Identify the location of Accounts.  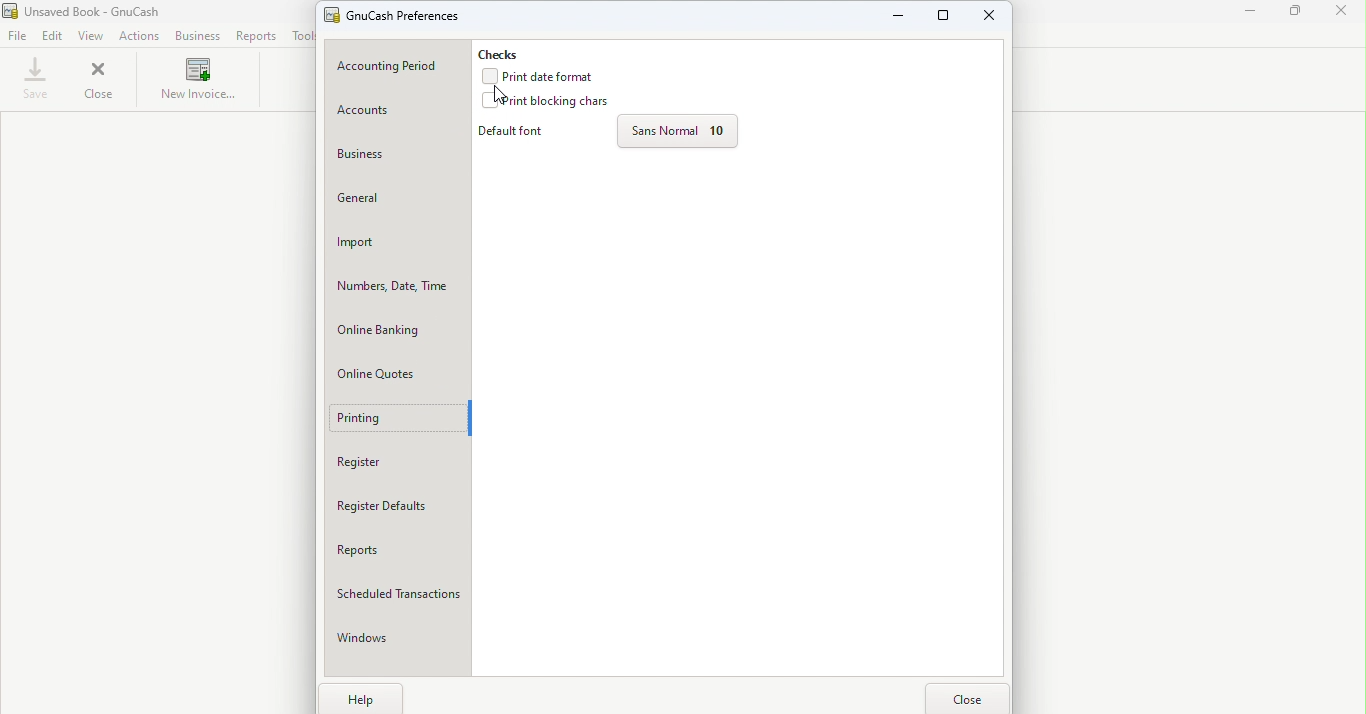
(397, 112).